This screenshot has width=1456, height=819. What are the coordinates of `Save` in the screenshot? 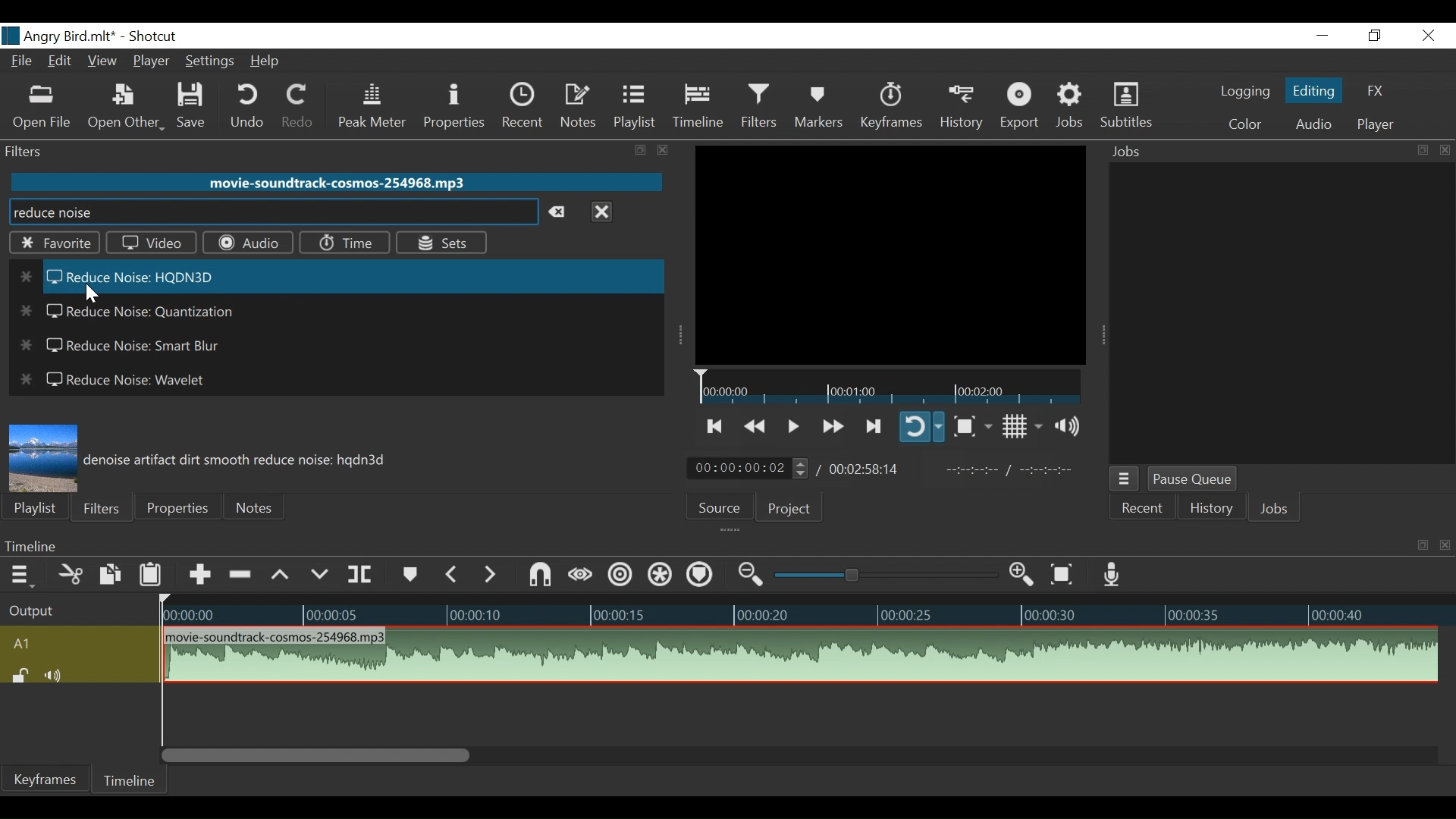 It's located at (194, 108).